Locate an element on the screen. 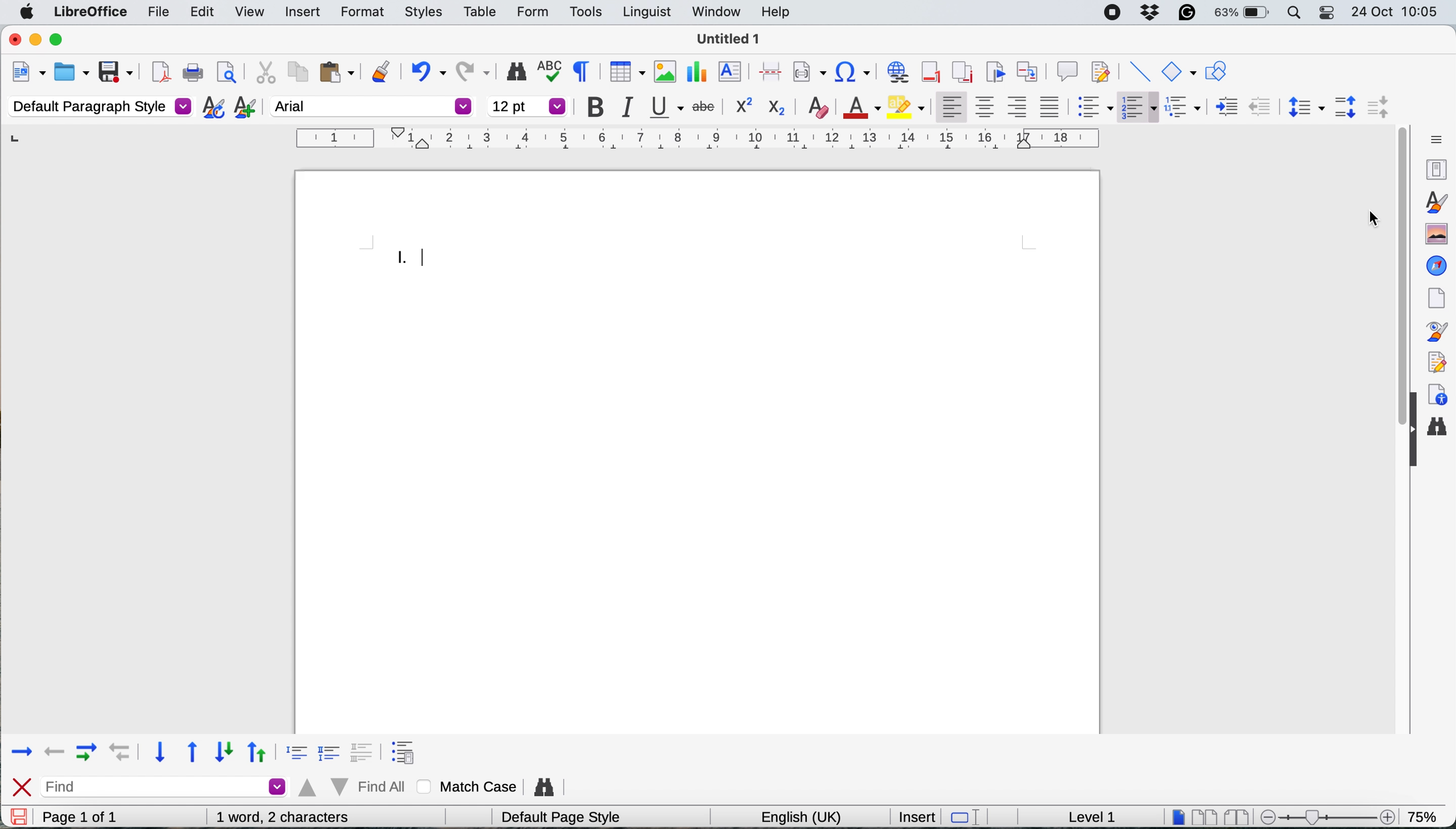 The width and height of the screenshot is (1456, 829). insert table is located at coordinates (625, 73).